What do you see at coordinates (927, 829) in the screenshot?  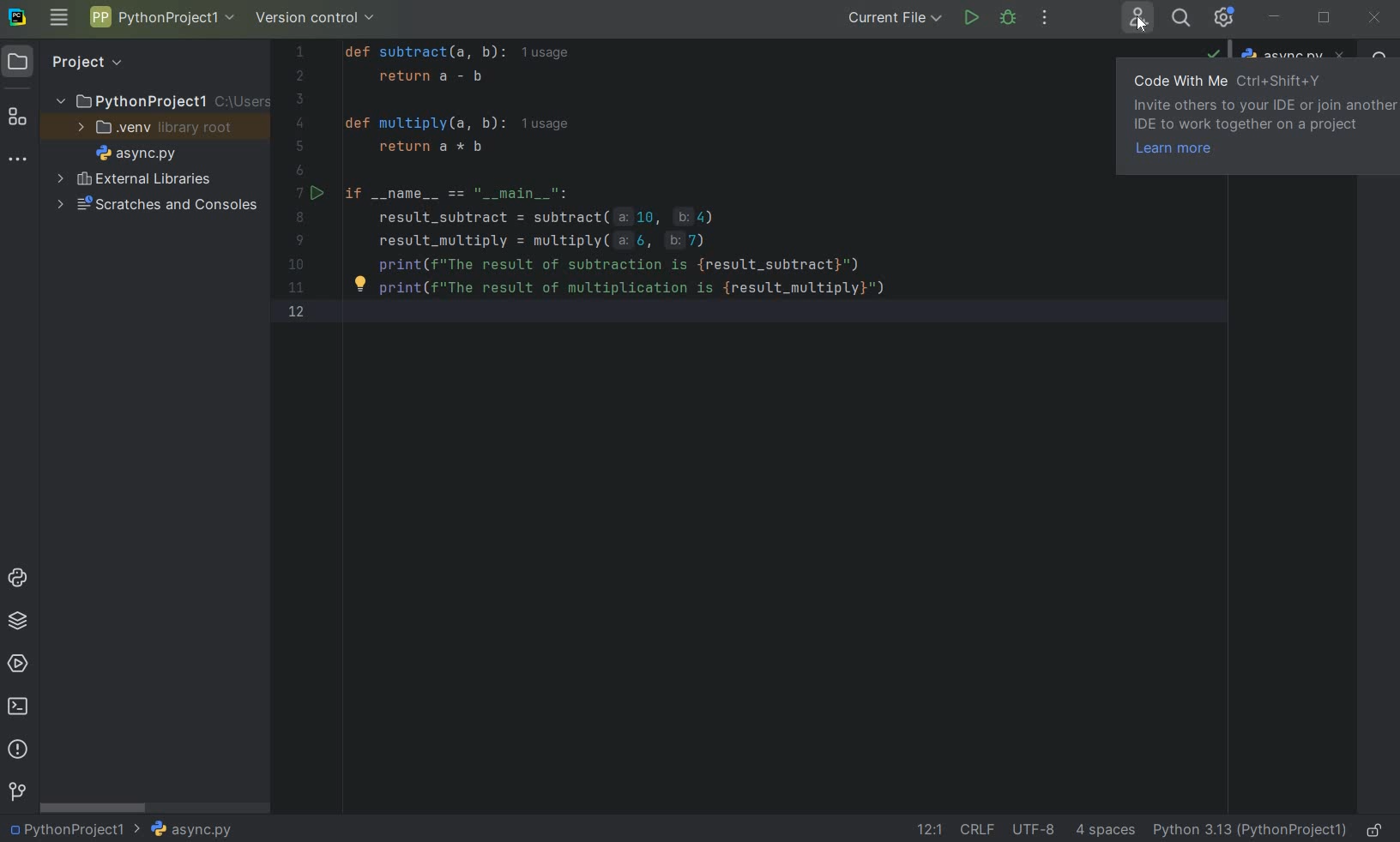 I see `GO TO LINE` at bounding box center [927, 829].